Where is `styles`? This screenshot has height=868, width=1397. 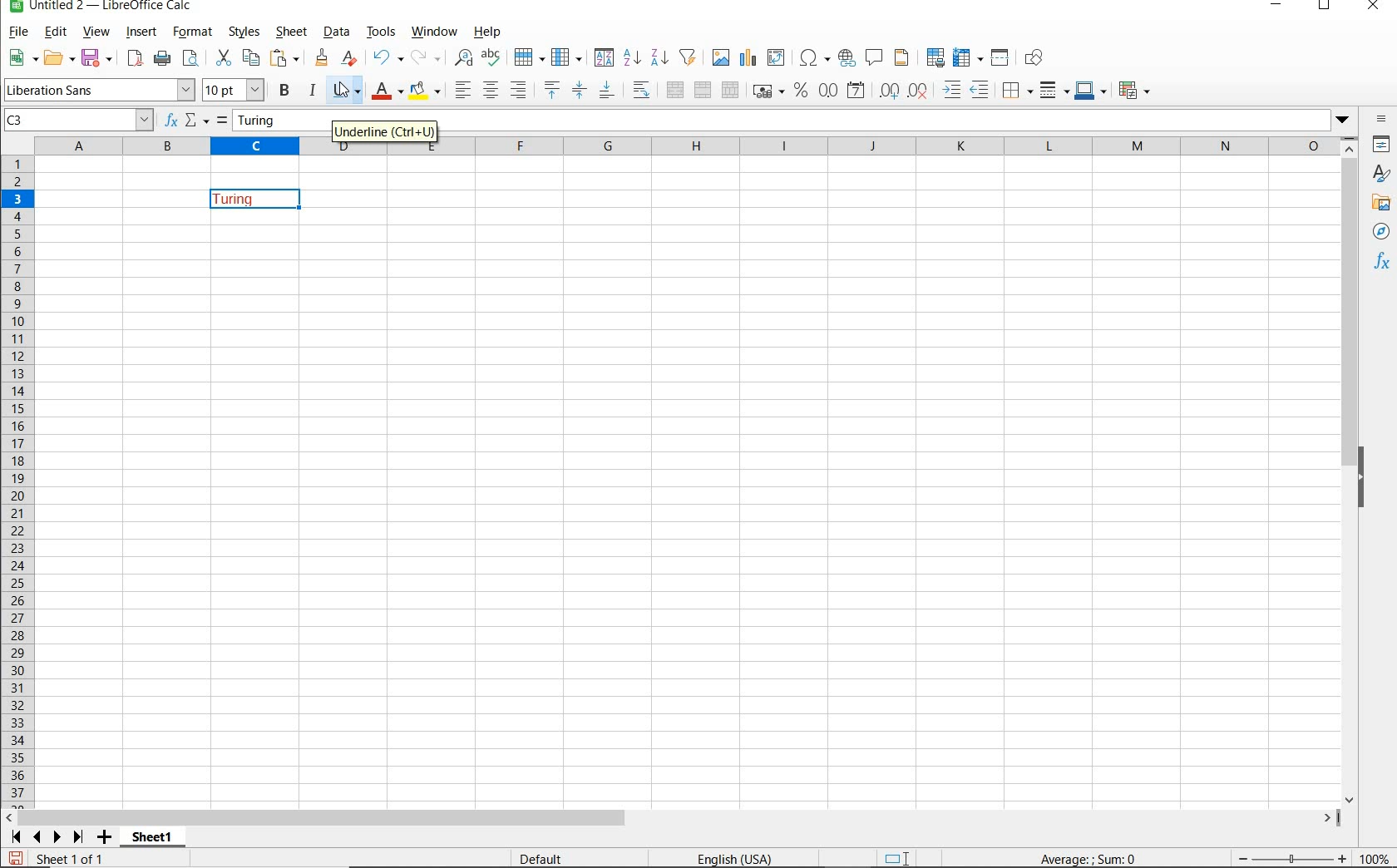 styles is located at coordinates (1381, 175).